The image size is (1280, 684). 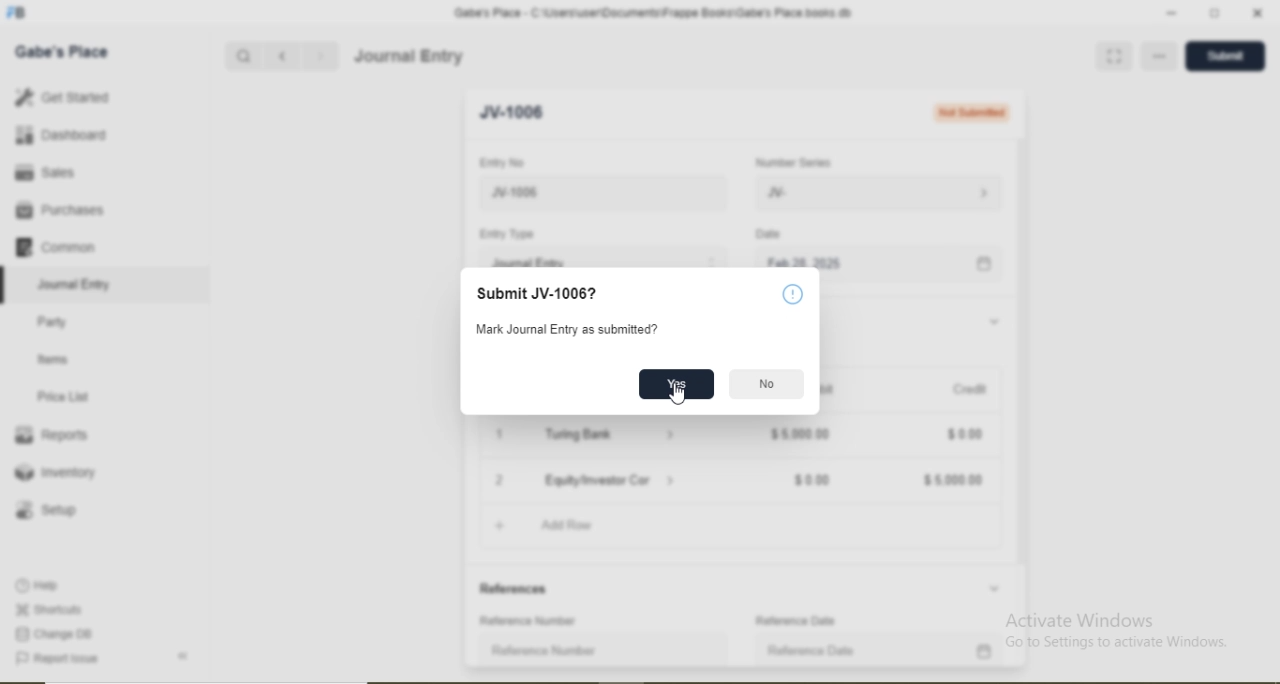 What do you see at coordinates (53, 324) in the screenshot?
I see `Party` at bounding box center [53, 324].